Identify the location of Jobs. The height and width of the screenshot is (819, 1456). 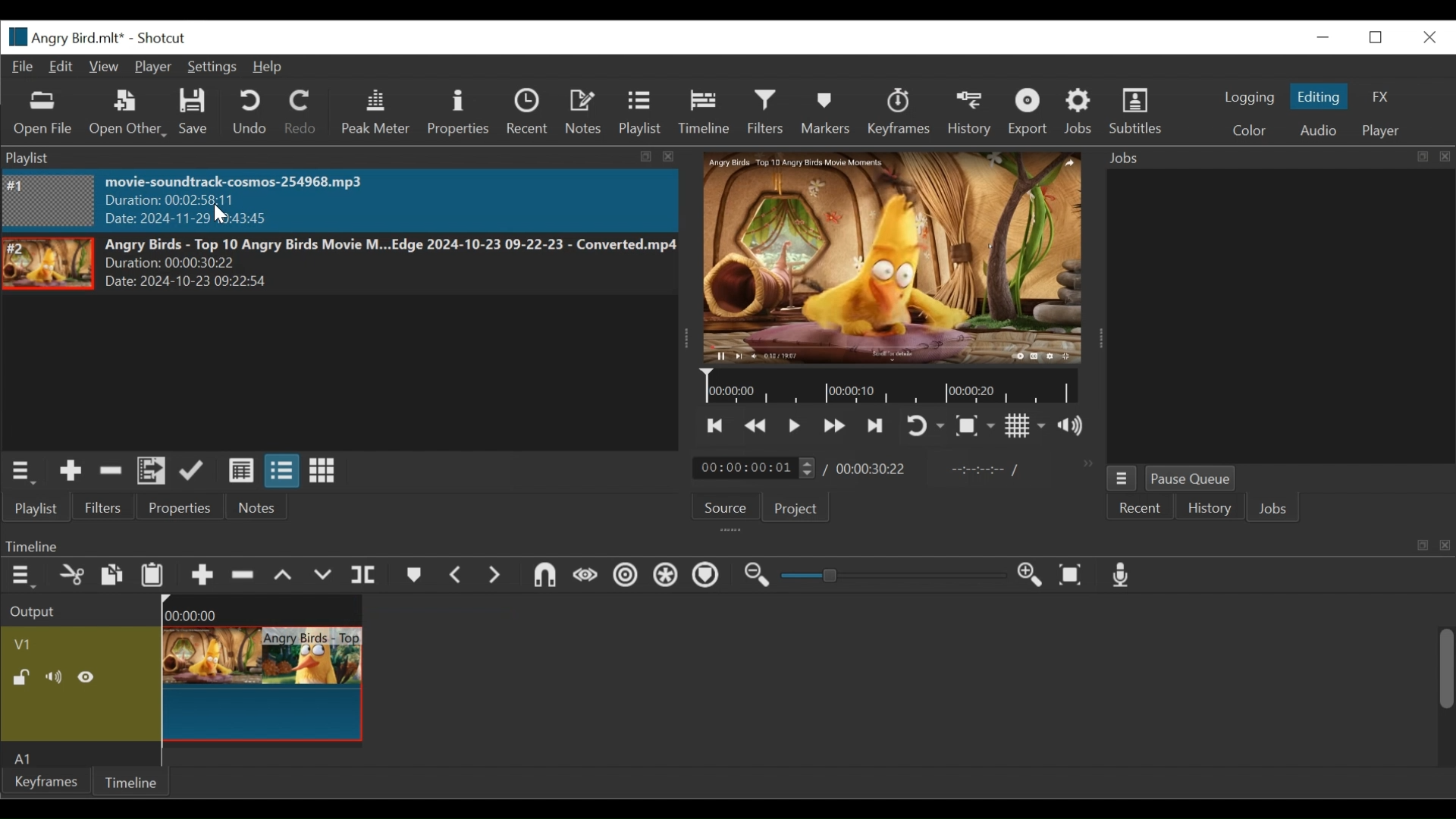
(1080, 114).